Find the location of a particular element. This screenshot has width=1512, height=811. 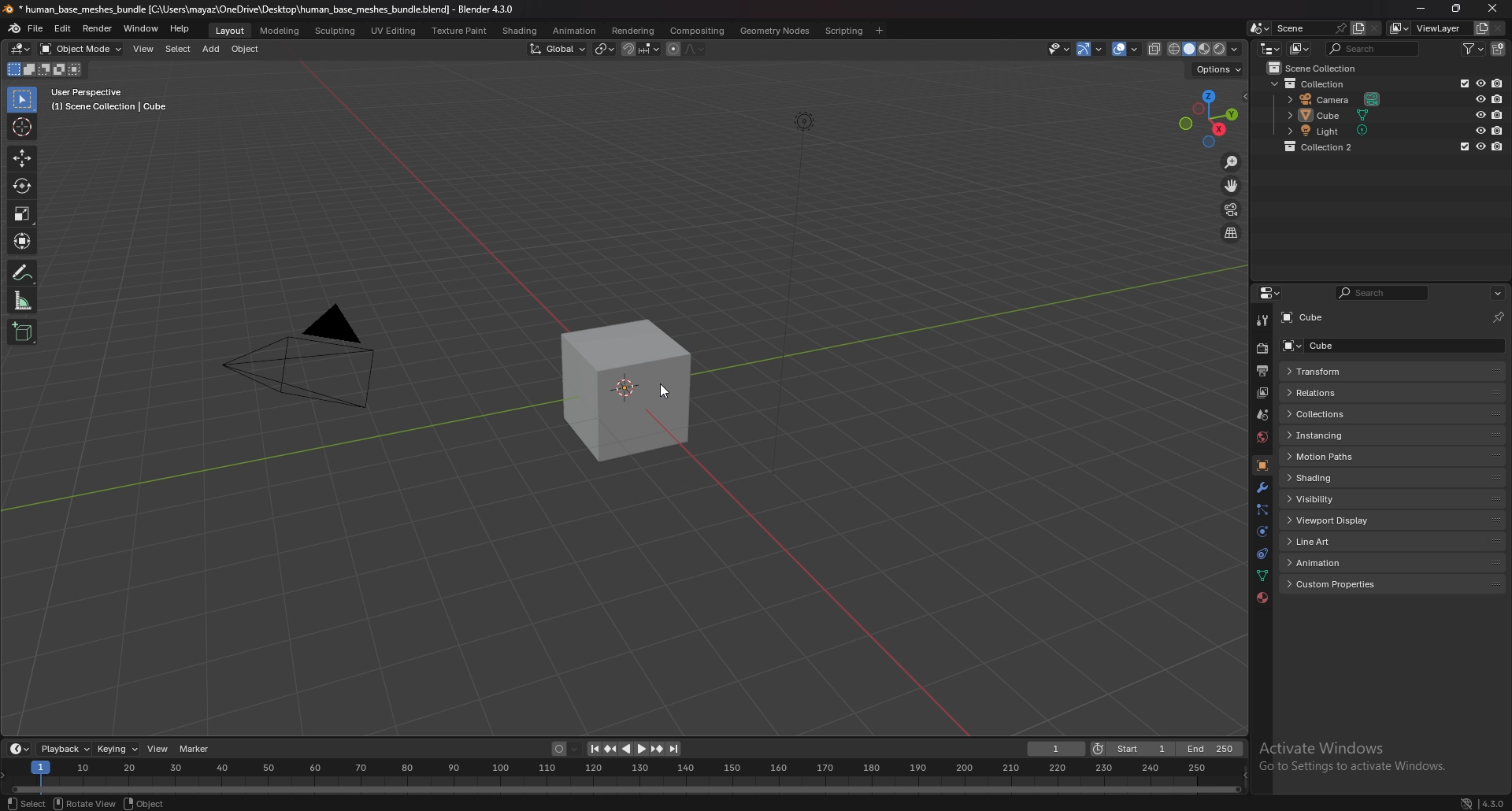

options is located at coordinates (1497, 294).